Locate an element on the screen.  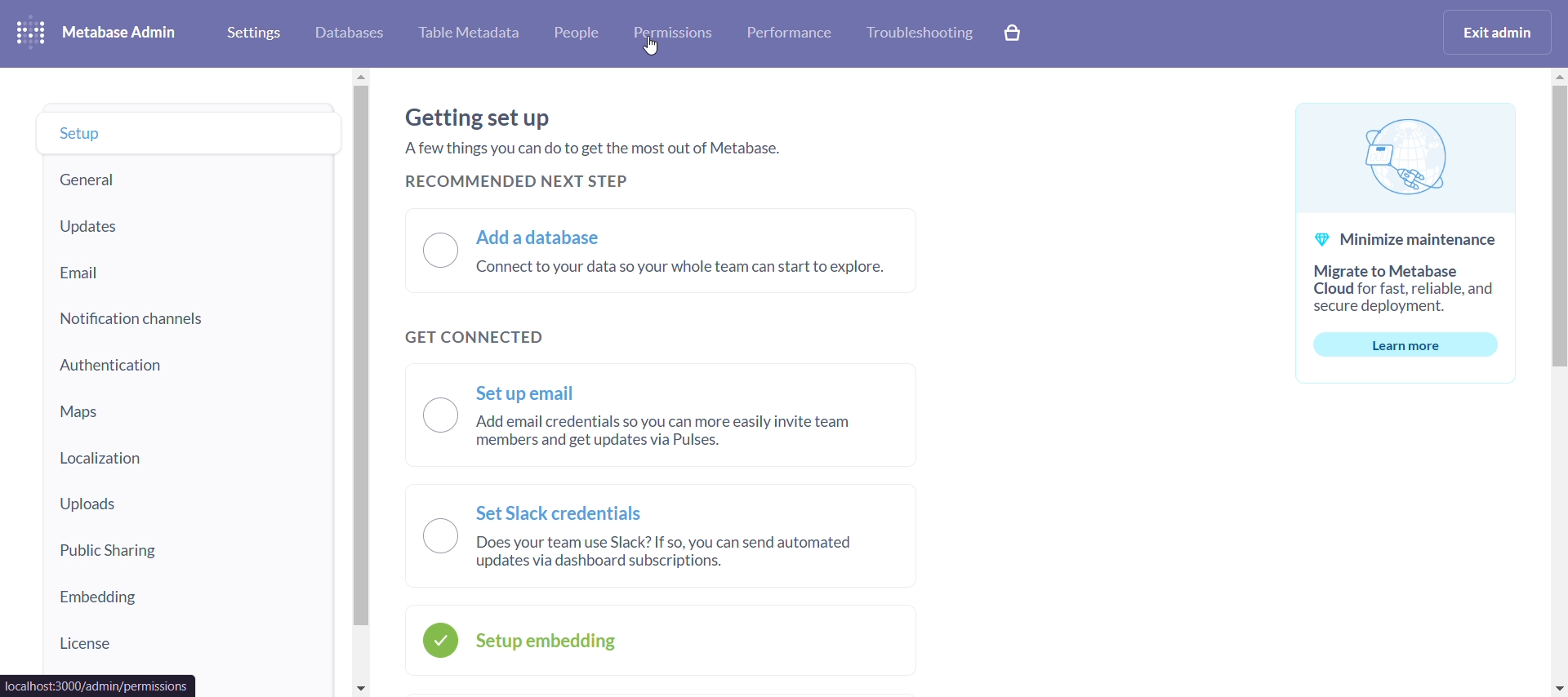
people is located at coordinates (581, 32).